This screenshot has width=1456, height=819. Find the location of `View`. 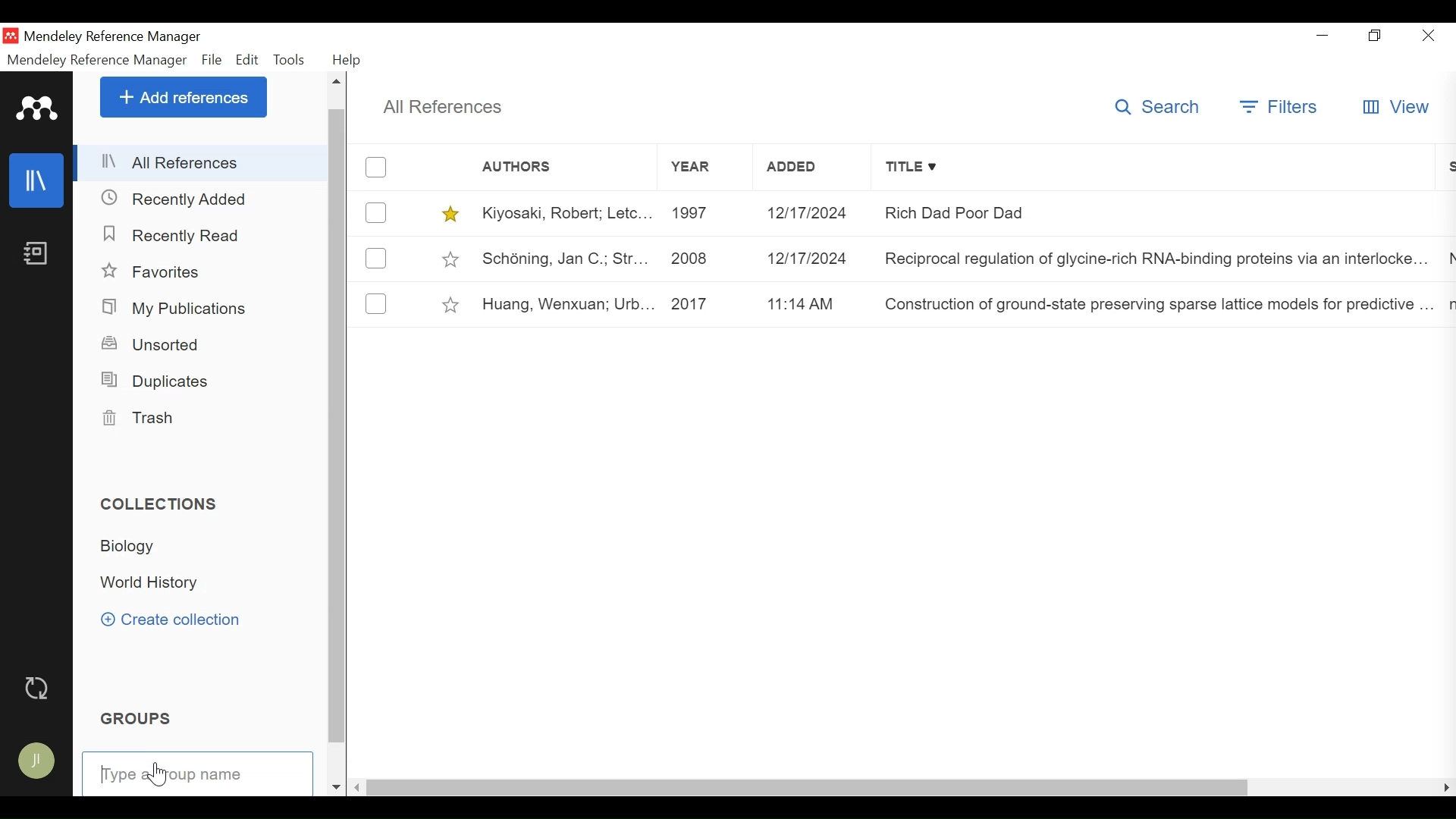

View is located at coordinates (1395, 106).